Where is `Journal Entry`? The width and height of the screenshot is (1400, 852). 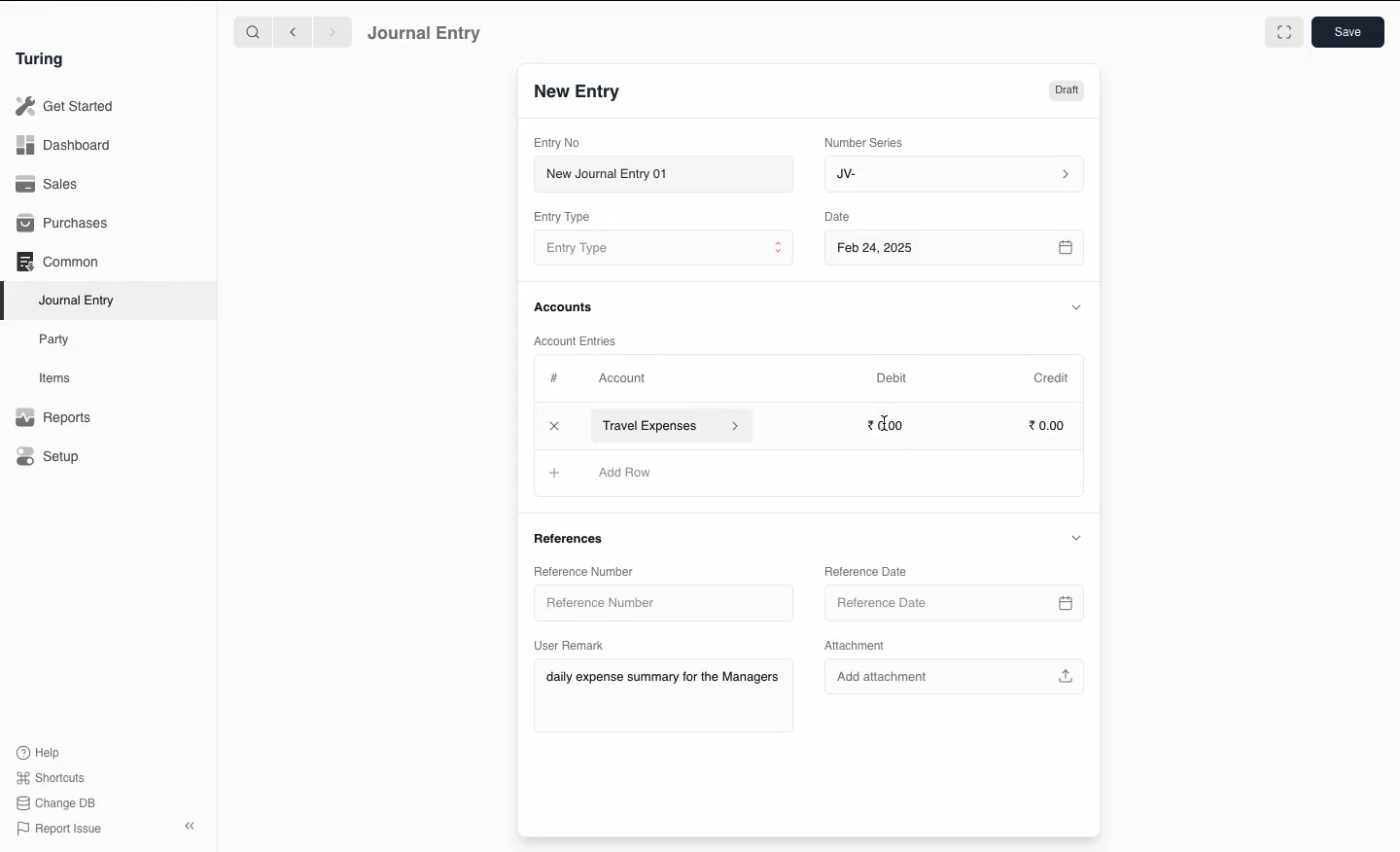 Journal Entry is located at coordinates (78, 302).